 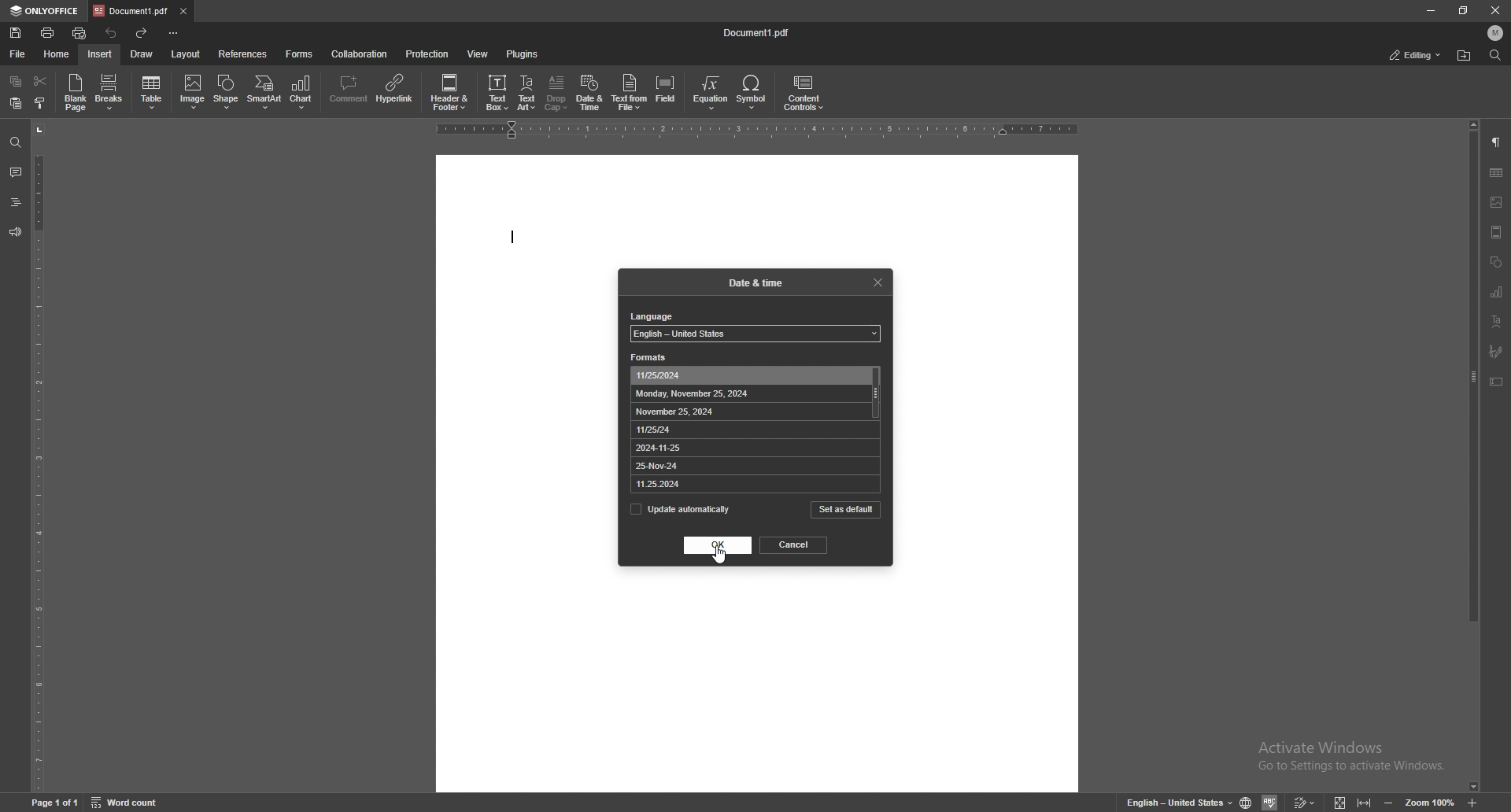 What do you see at coordinates (877, 282) in the screenshot?
I see `close` at bounding box center [877, 282].